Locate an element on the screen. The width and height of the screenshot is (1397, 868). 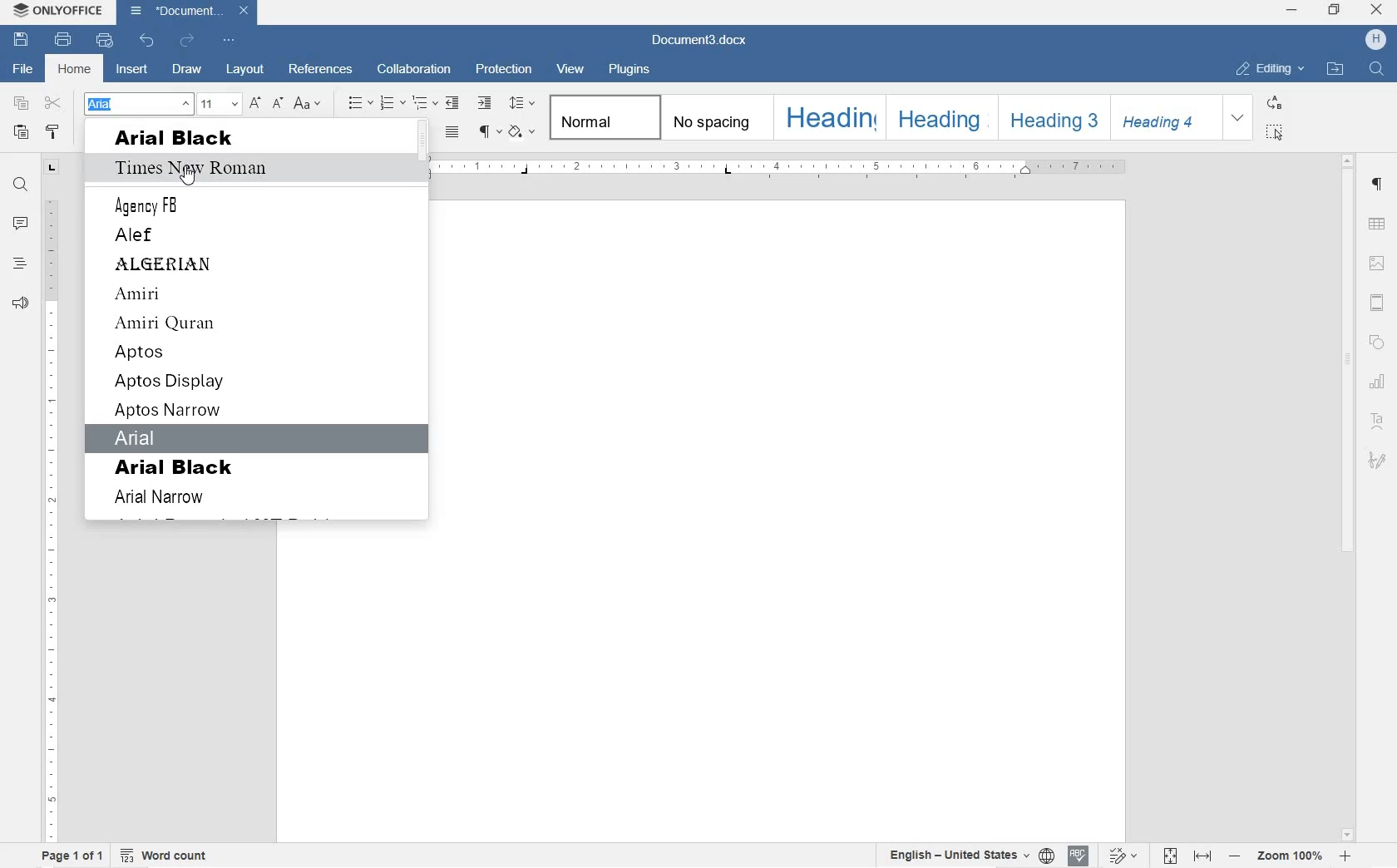
VIEW is located at coordinates (571, 69).